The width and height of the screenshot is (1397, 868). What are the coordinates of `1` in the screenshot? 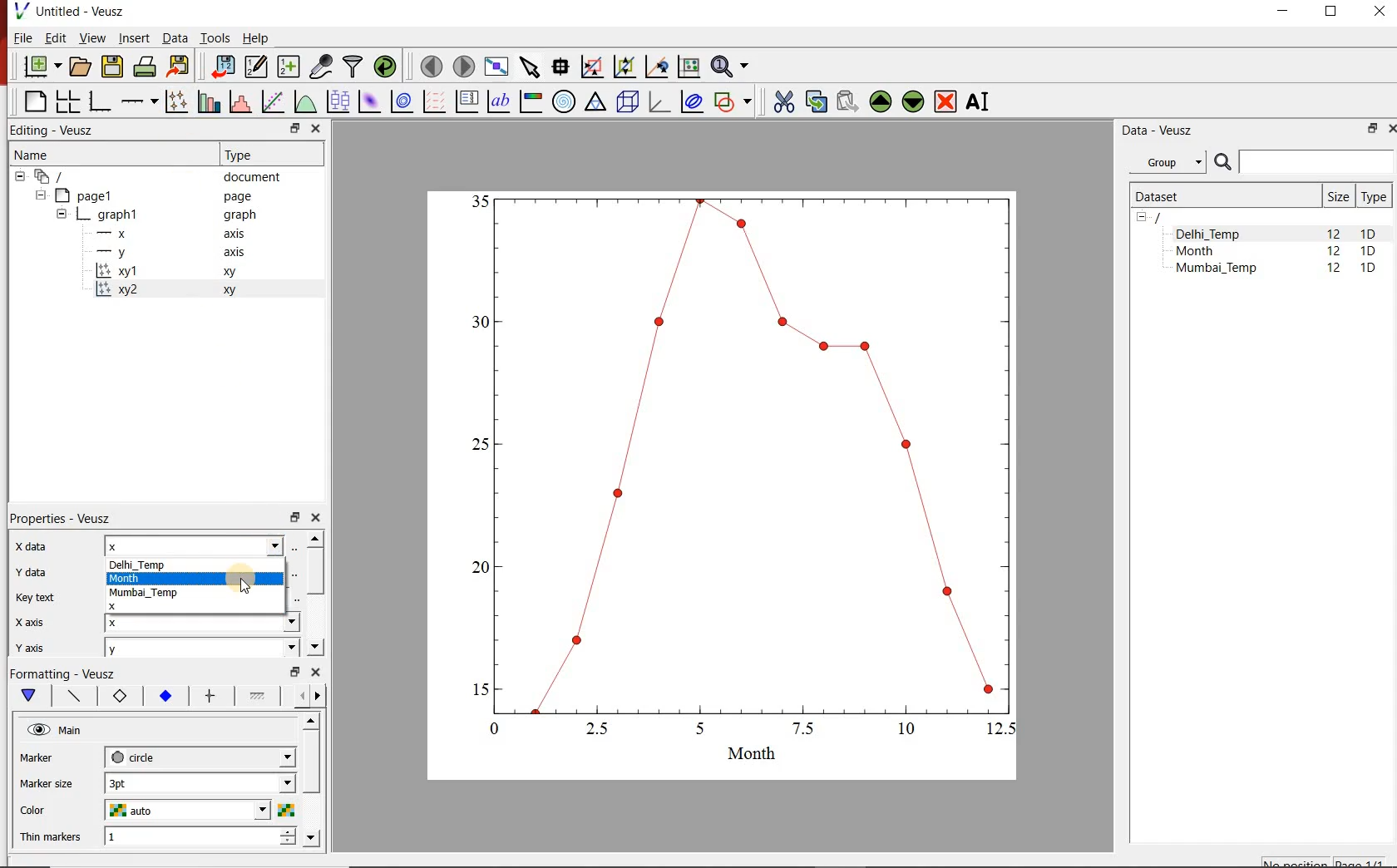 It's located at (200, 838).